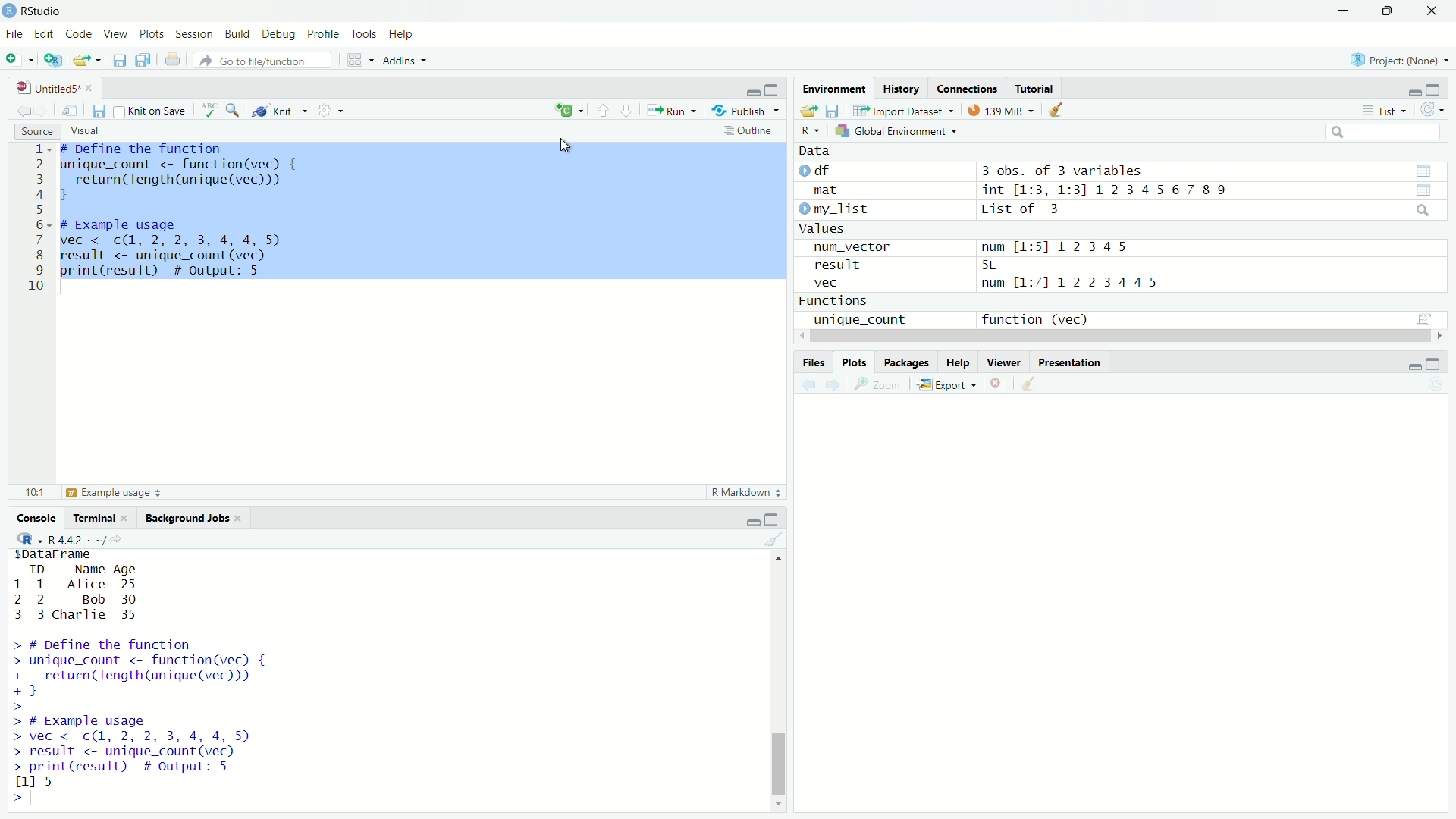 The image size is (1456, 819). I want to click on malin
ID Name Age

1 1 Alice 25

2 2 Bob 30

3 3 charlie 35

> # Define the function

> unique_count <- function(vec) i

+ return(length (unique (vec)))

+3

>

> # Example usage

> vec <- c(1, 2, 2, 3, 4, 4, 5)

> result <- unique_count(vec)

> print(result) # Output: 5

[11s

>, so click(134, 679).